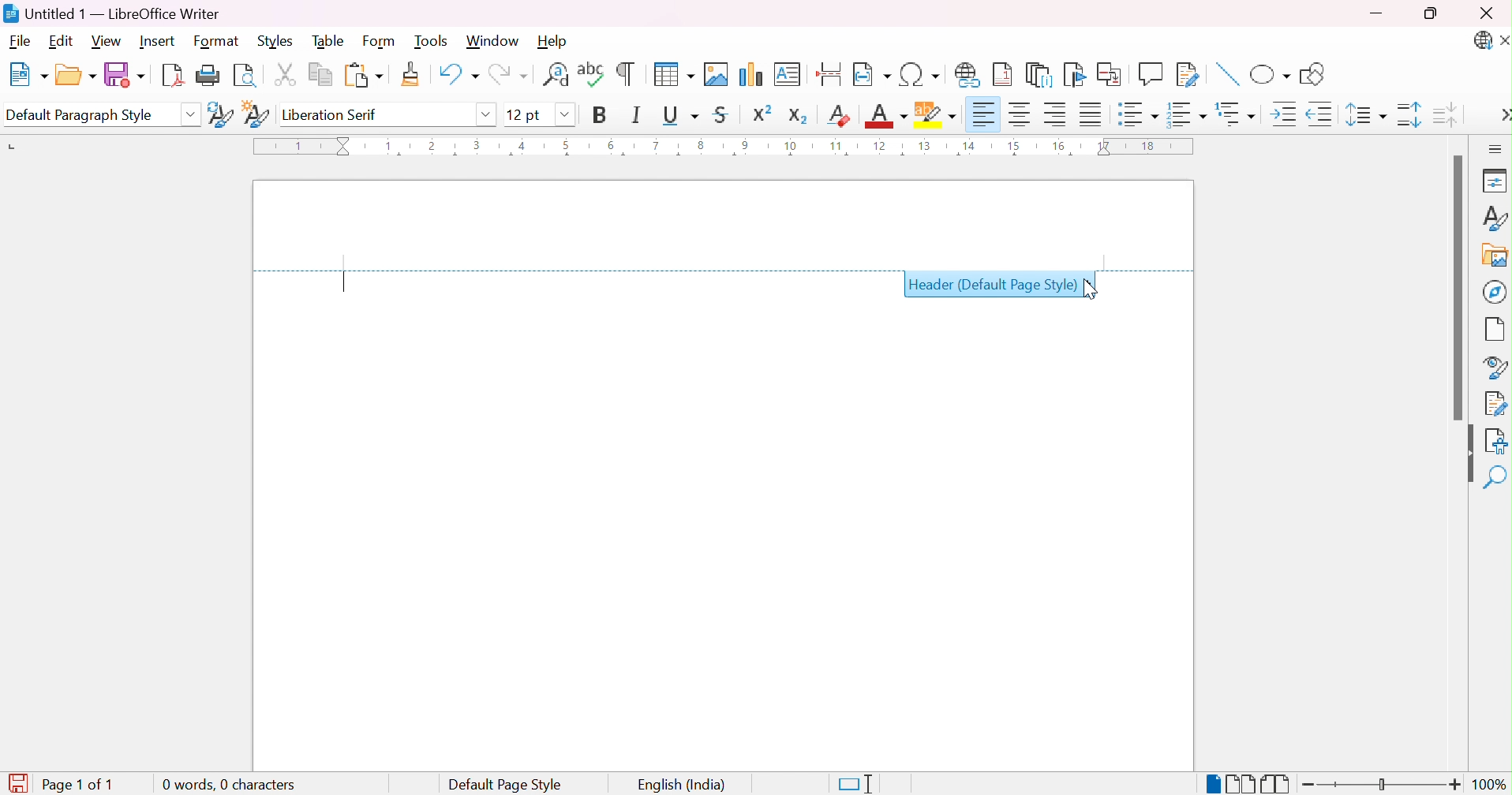 This screenshot has width=1512, height=795. Describe the element at coordinates (381, 42) in the screenshot. I see `Form` at that location.